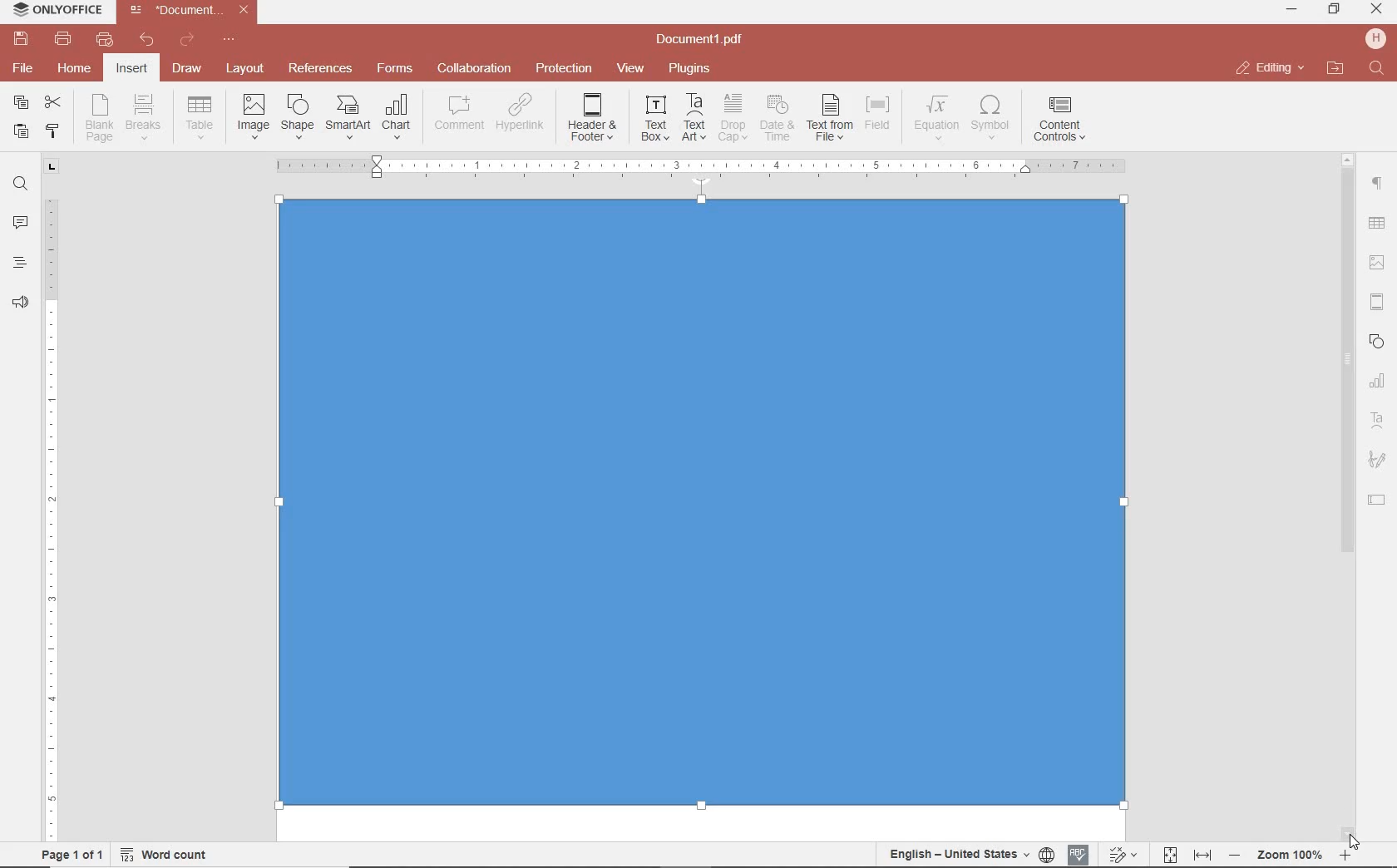  Describe the element at coordinates (185, 42) in the screenshot. I see `redo` at that location.